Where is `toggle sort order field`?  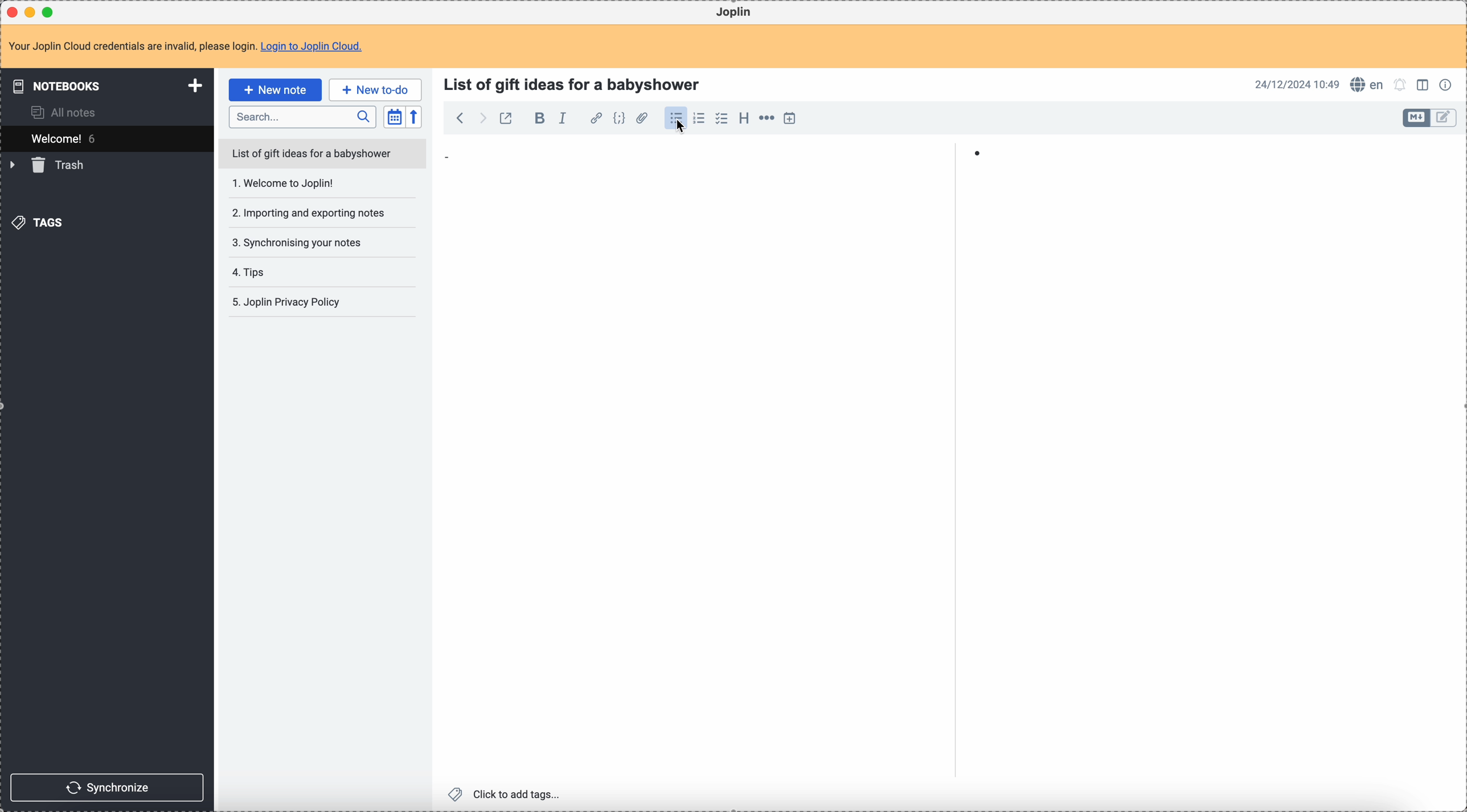 toggle sort order field is located at coordinates (394, 117).